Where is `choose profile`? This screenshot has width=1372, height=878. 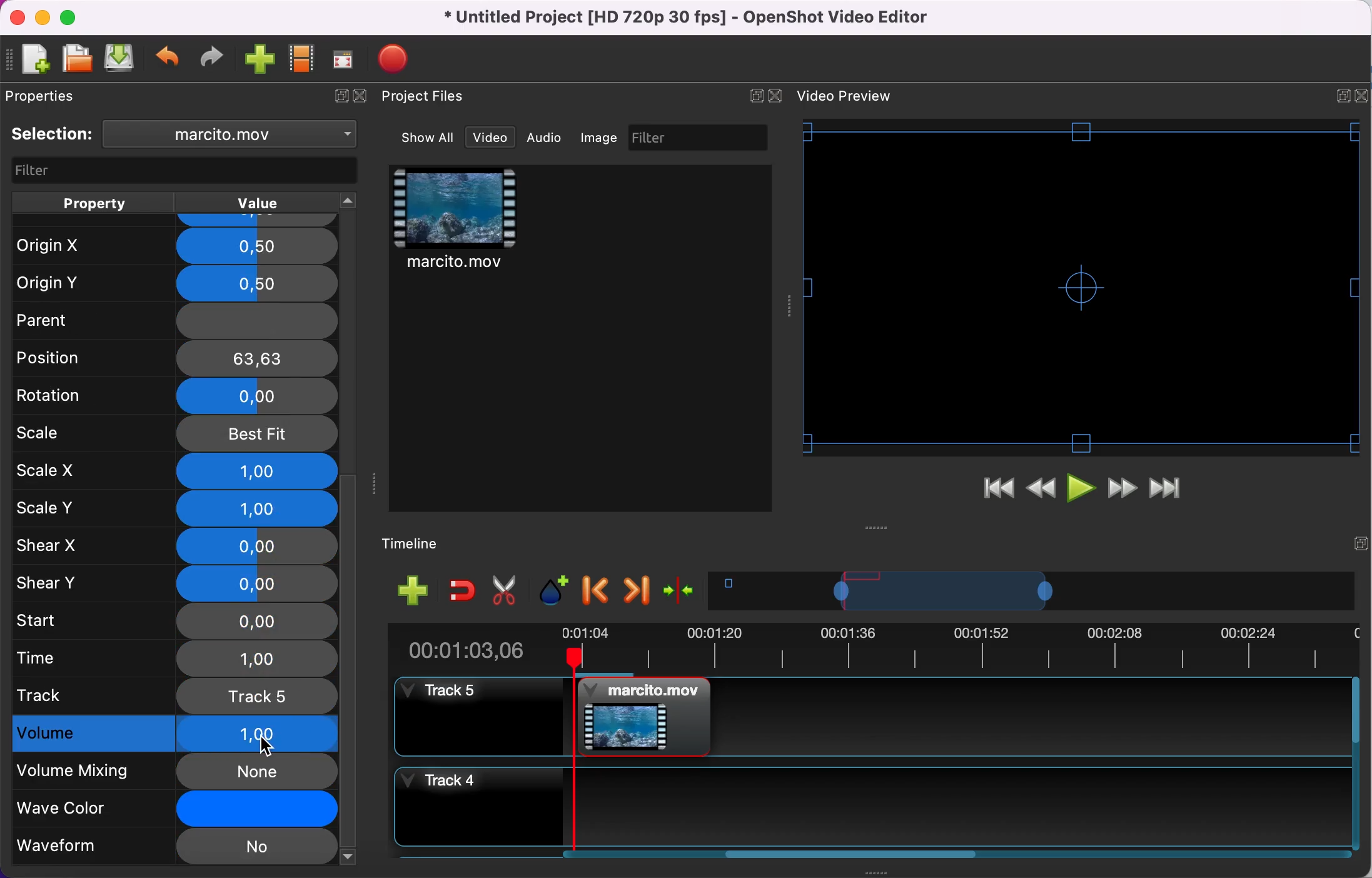 choose profile is located at coordinates (303, 59).